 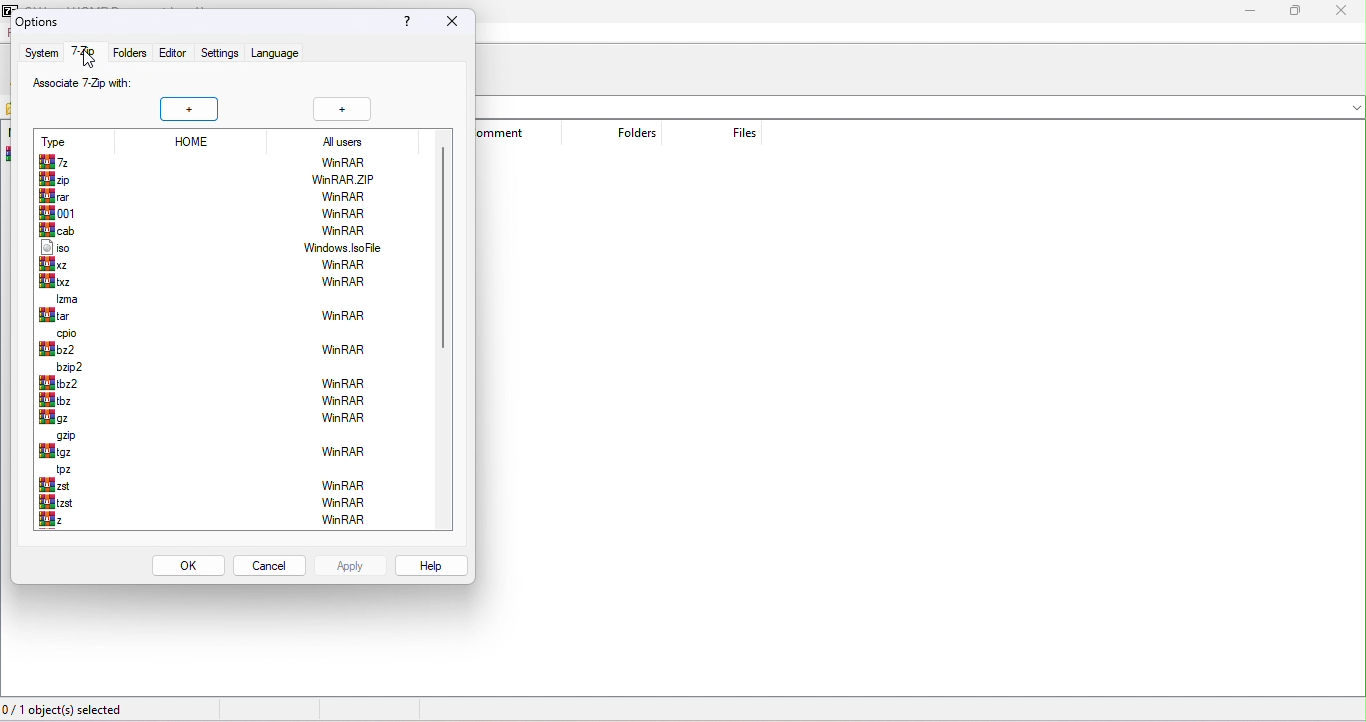 I want to click on winrar, so click(x=349, y=482).